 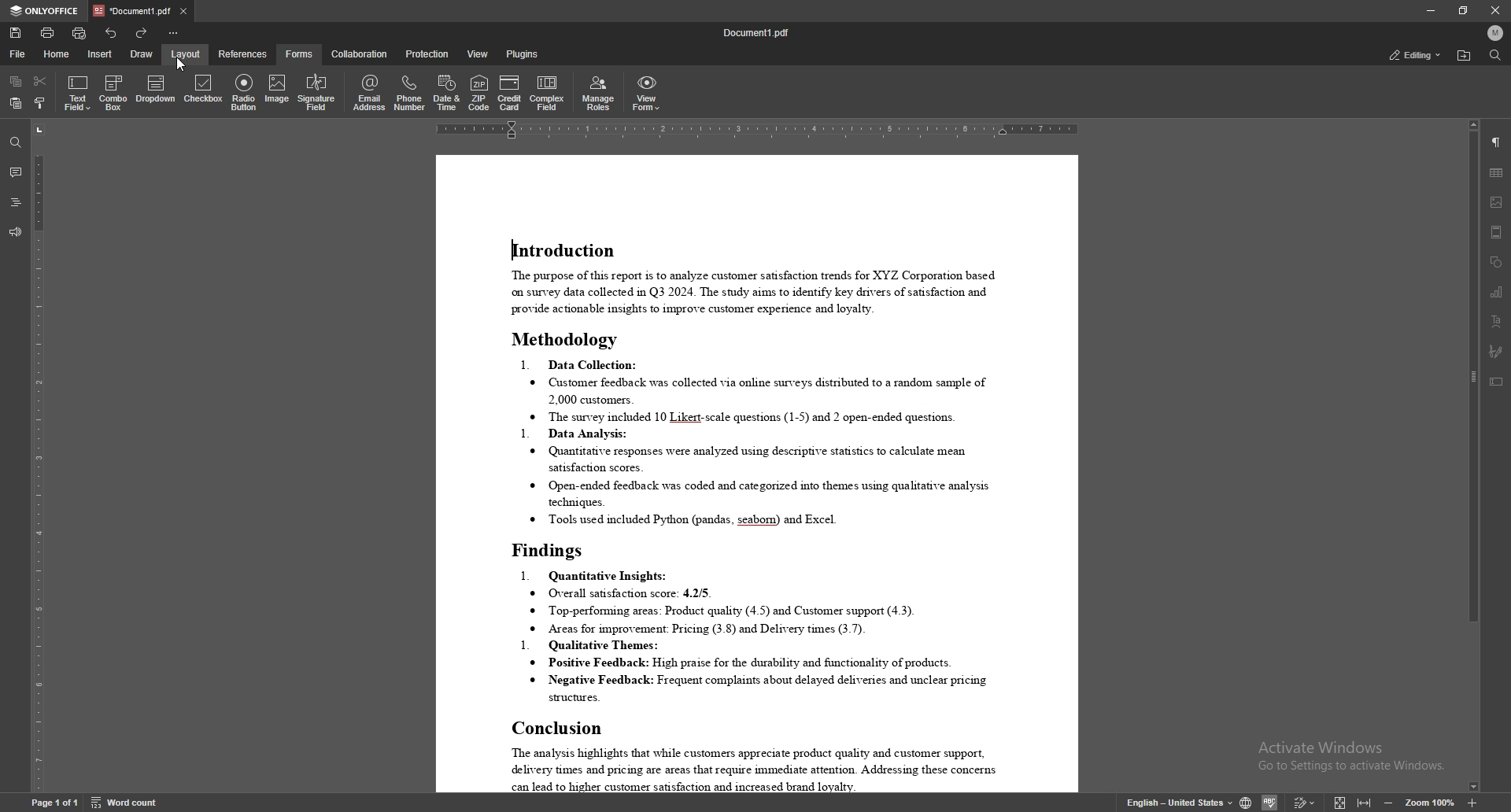 What do you see at coordinates (39, 81) in the screenshot?
I see `cut` at bounding box center [39, 81].